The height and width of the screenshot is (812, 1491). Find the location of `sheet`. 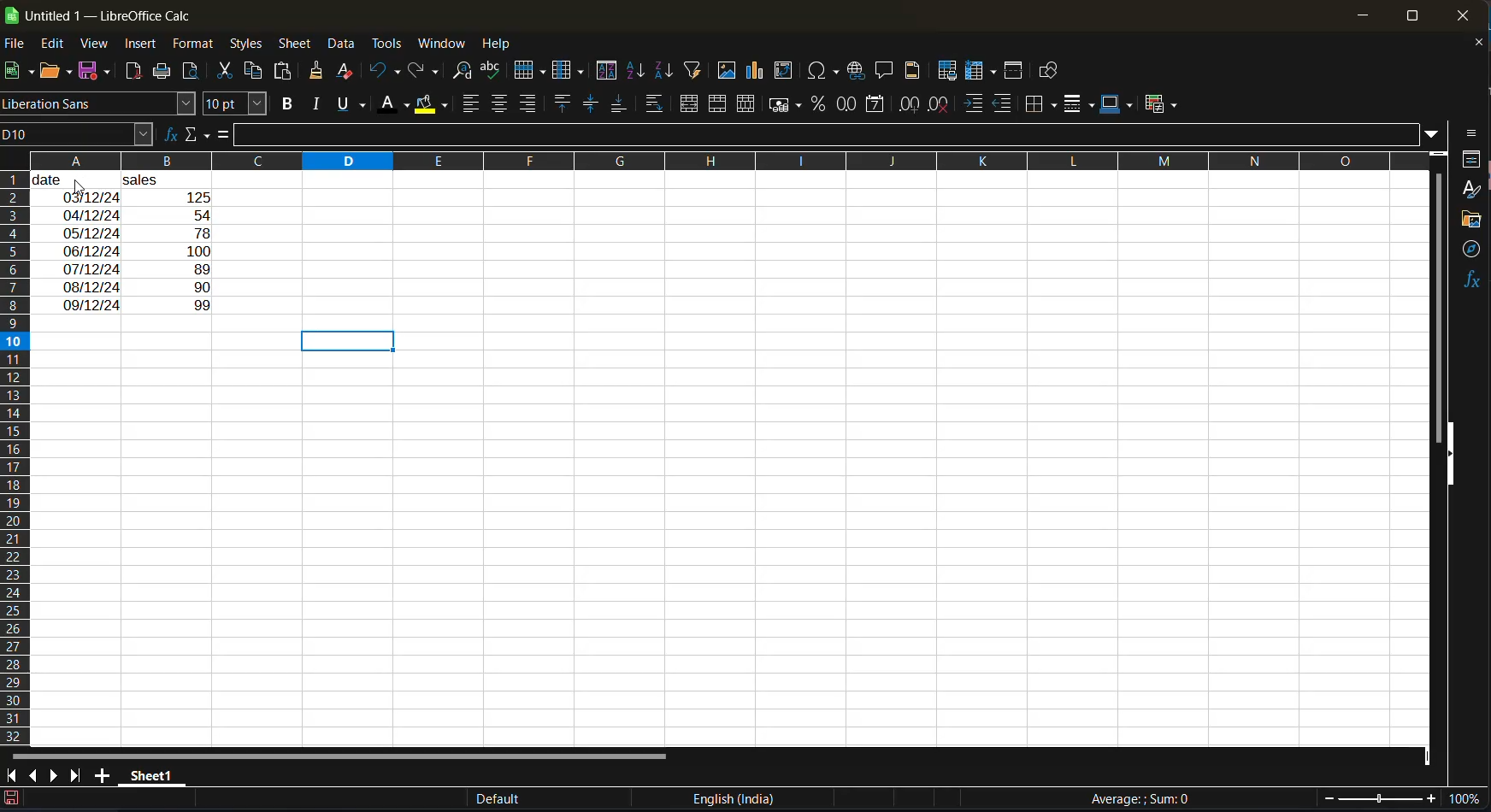

sheet is located at coordinates (297, 44).